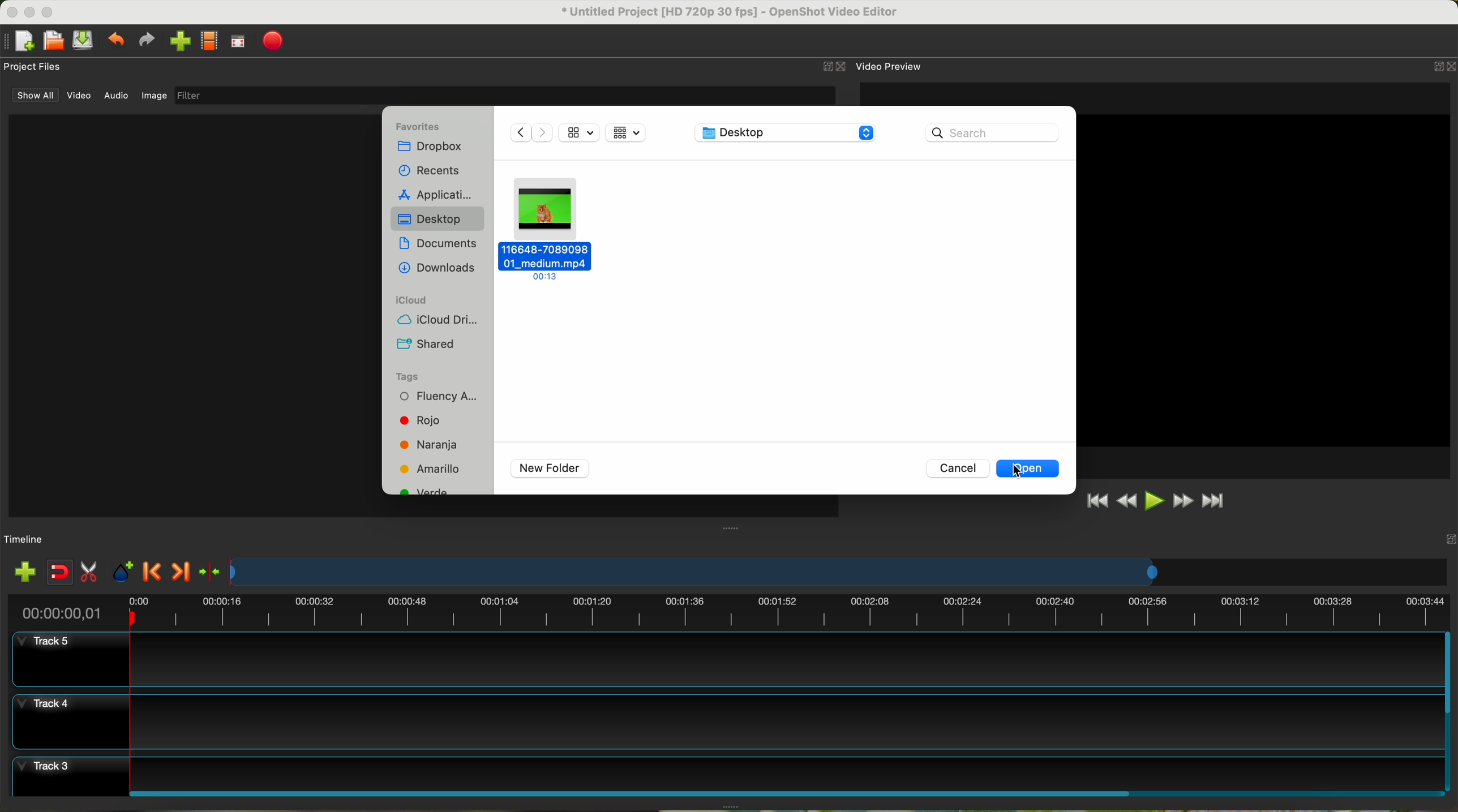  I want to click on recents, so click(433, 170).